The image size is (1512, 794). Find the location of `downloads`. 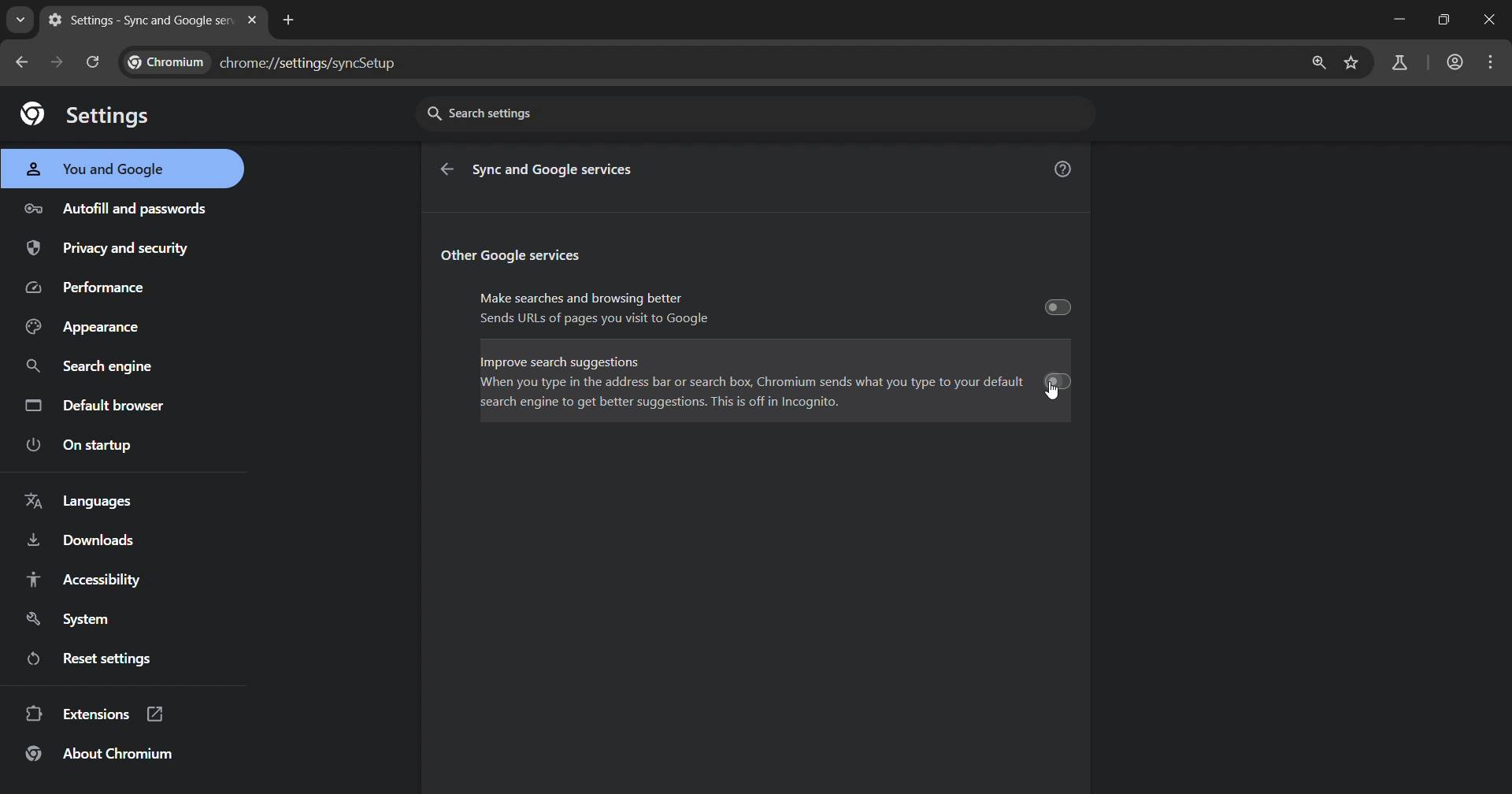

downloads is located at coordinates (85, 540).